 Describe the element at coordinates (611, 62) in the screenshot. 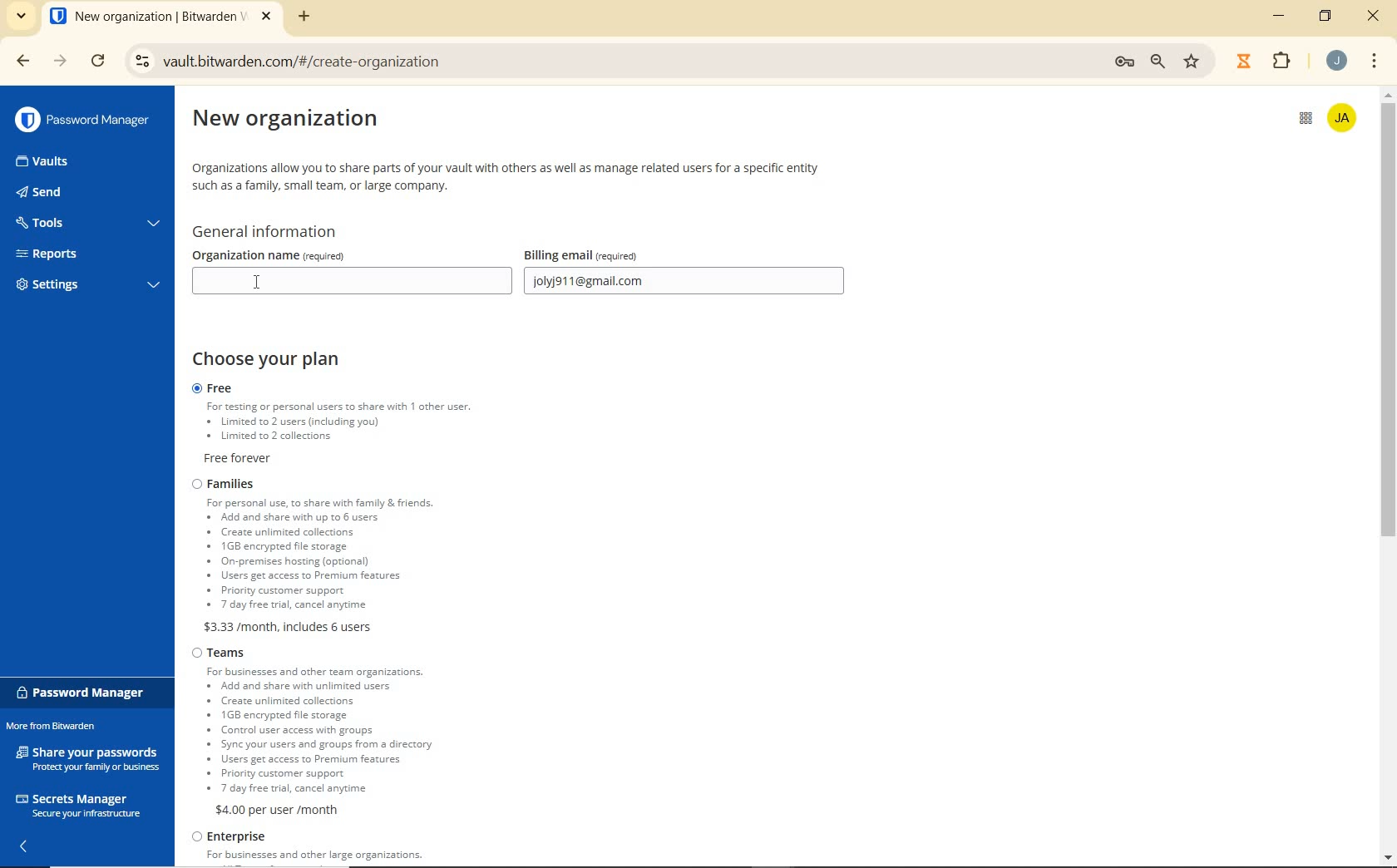

I see `address bar` at that location.